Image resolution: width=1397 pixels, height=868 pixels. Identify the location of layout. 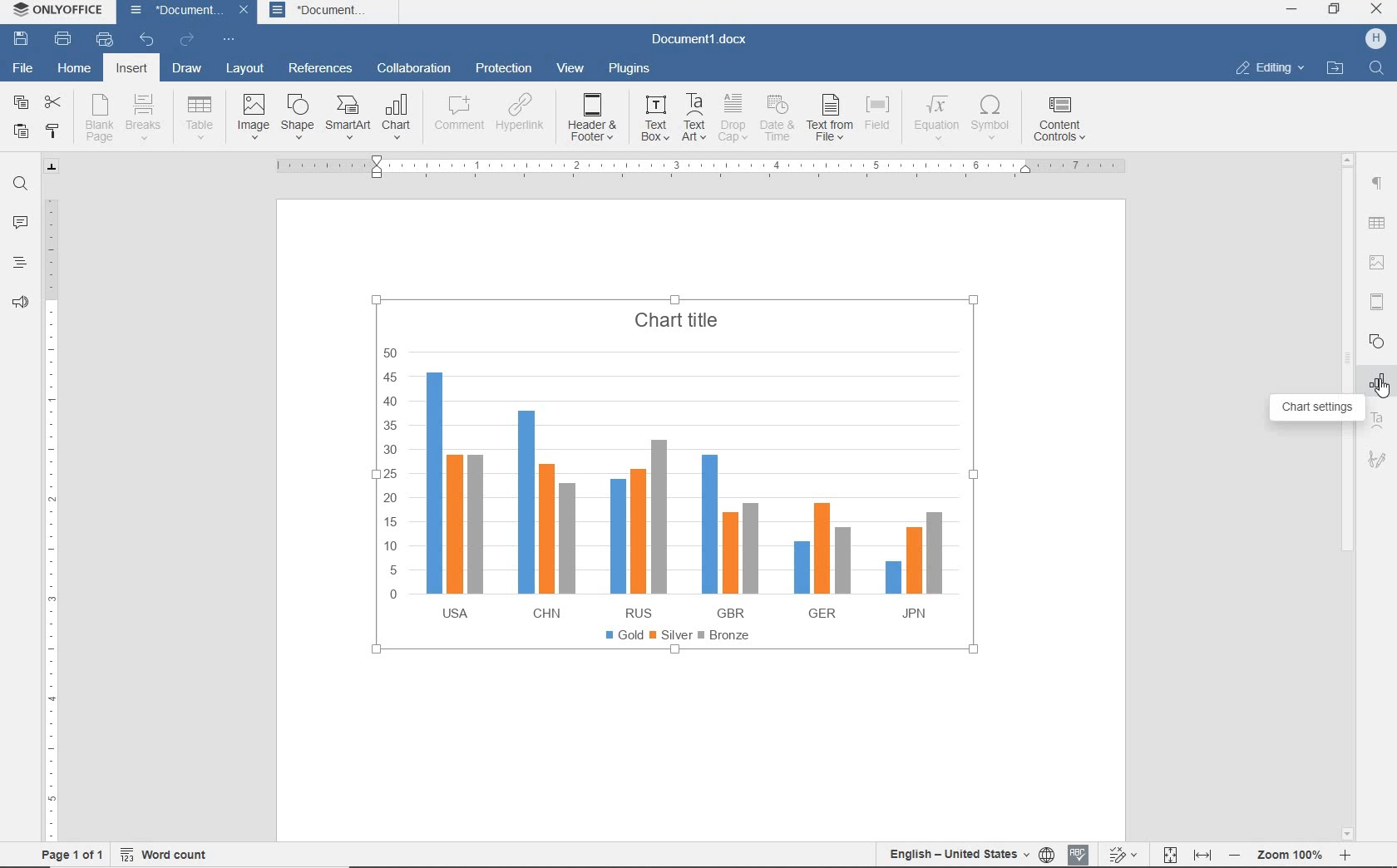
(242, 69).